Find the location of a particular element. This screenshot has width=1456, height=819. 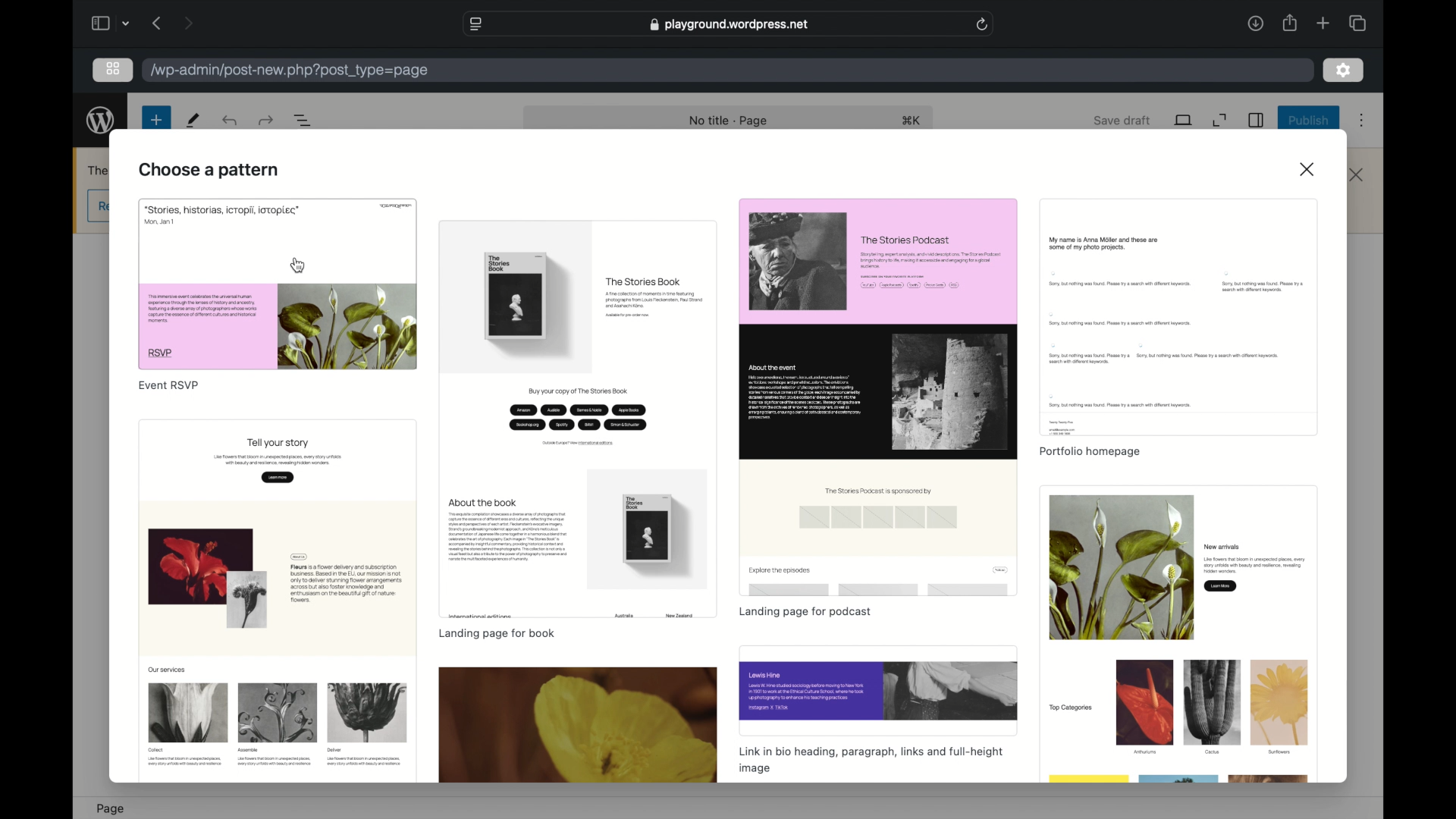

refresh is located at coordinates (982, 25).